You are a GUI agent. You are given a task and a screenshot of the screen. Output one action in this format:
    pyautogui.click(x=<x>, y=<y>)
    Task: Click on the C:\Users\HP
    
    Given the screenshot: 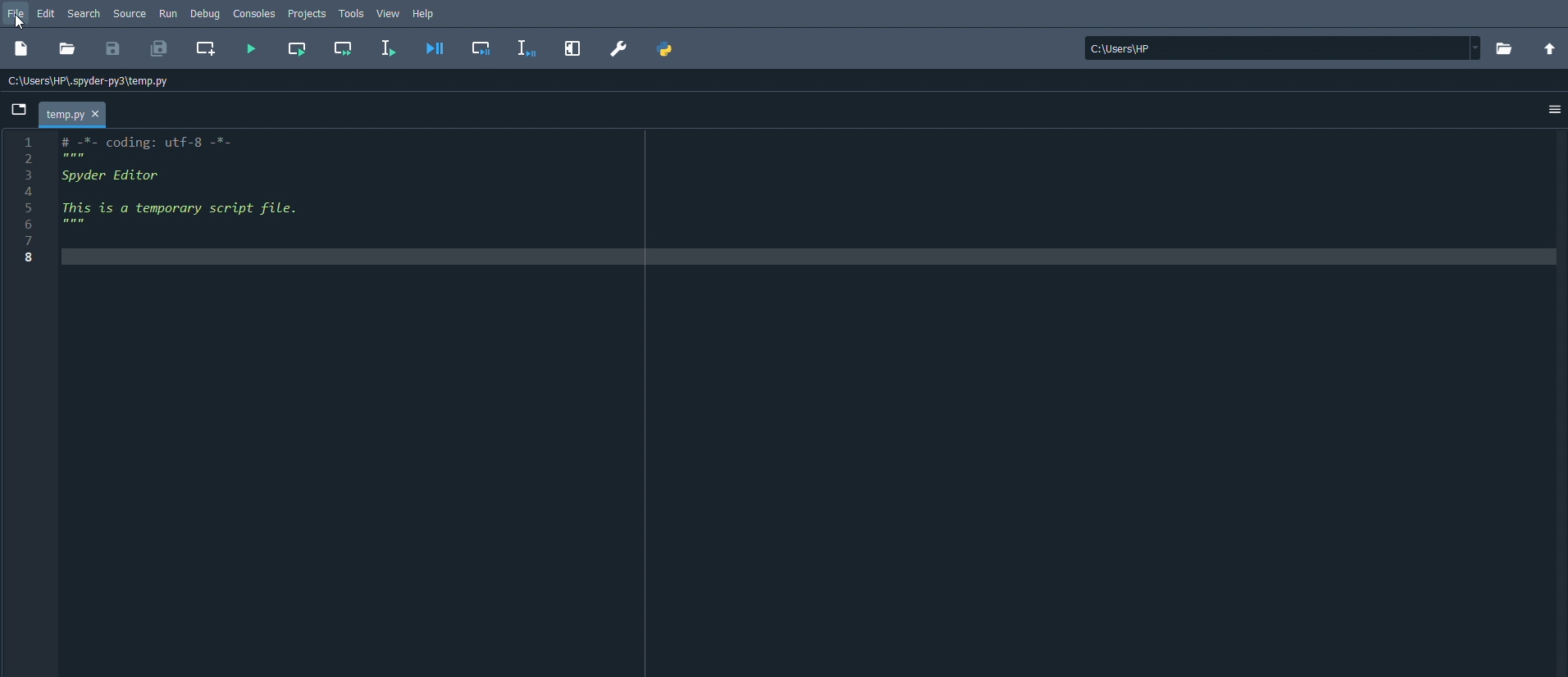 What is the action you would take?
    pyautogui.click(x=1283, y=48)
    